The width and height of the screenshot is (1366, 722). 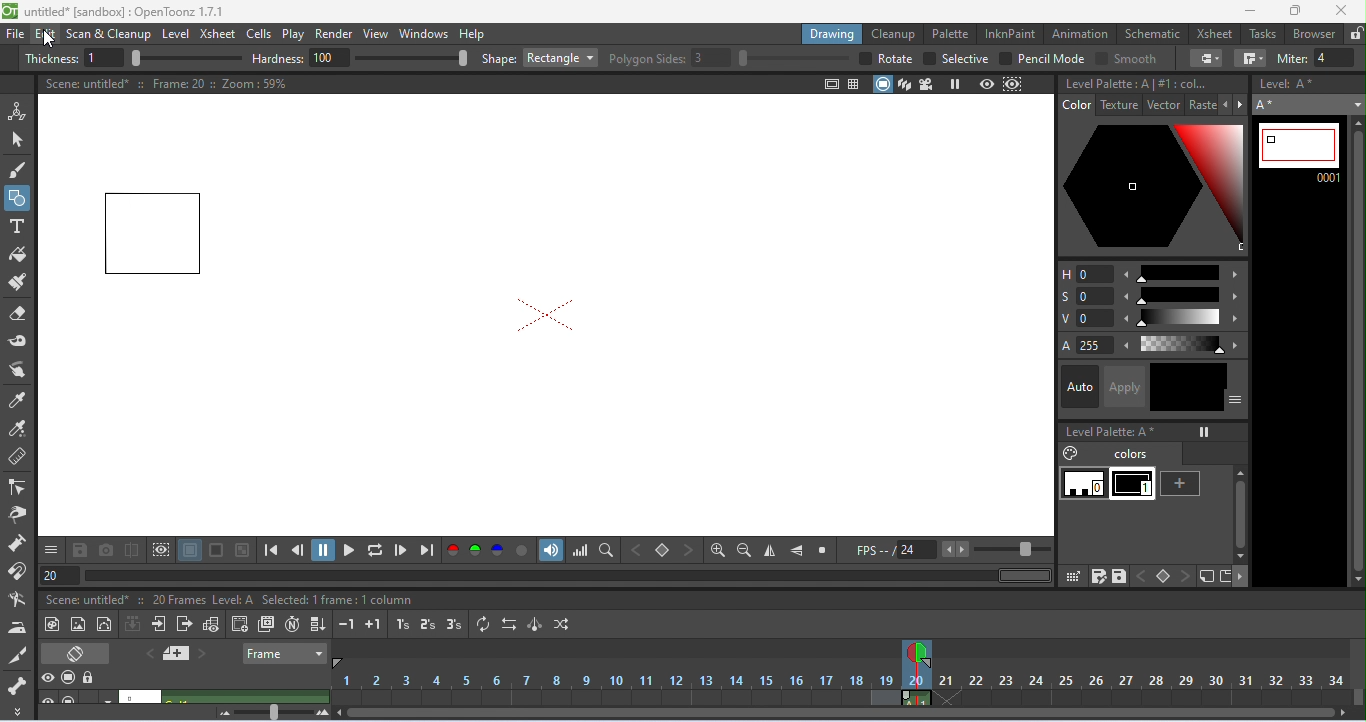 What do you see at coordinates (1318, 58) in the screenshot?
I see `miter` at bounding box center [1318, 58].